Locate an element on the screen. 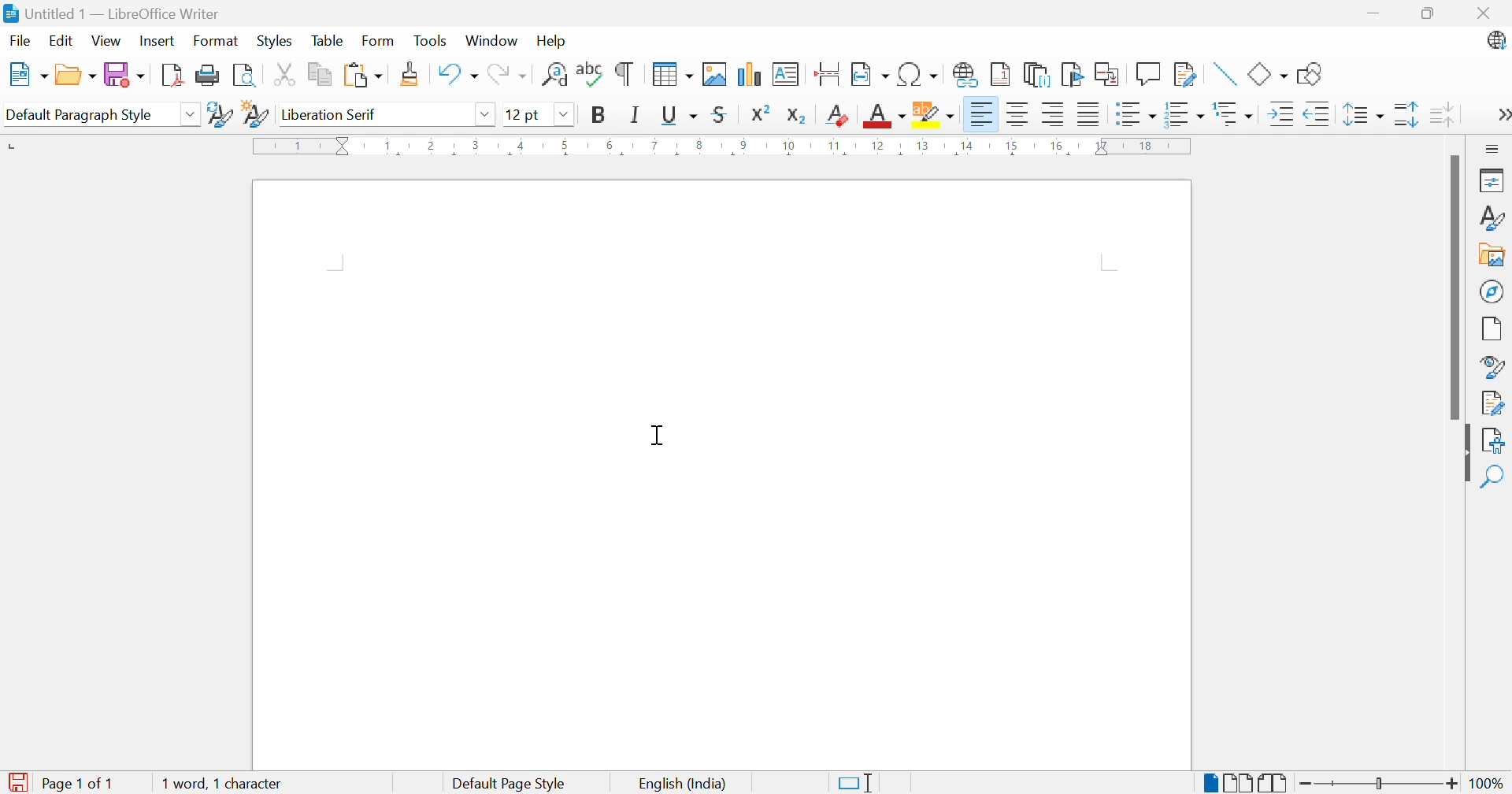  Character highlighting color is located at coordinates (934, 114).